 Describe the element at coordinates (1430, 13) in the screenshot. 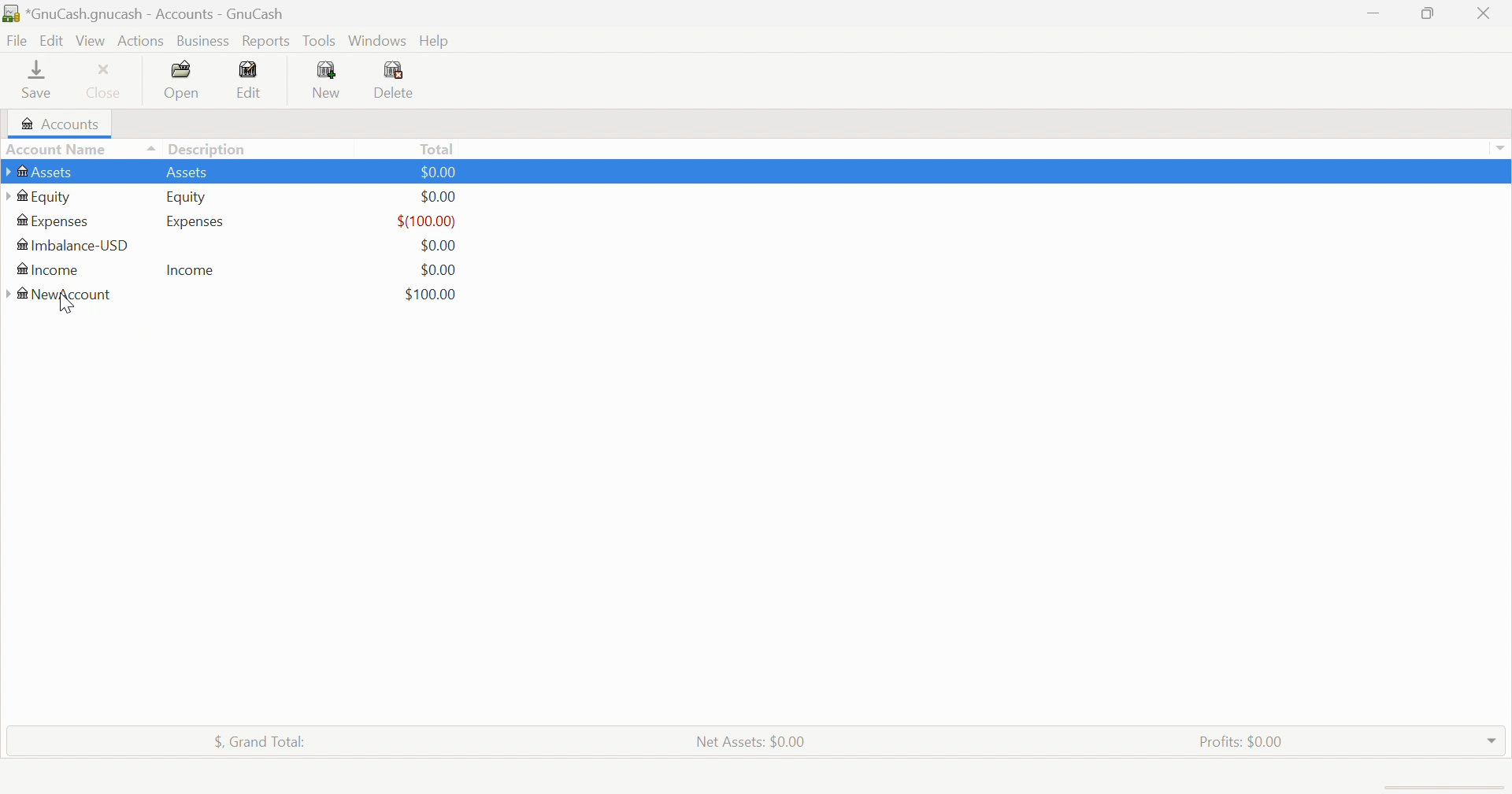

I see `Restore Down` at that location.